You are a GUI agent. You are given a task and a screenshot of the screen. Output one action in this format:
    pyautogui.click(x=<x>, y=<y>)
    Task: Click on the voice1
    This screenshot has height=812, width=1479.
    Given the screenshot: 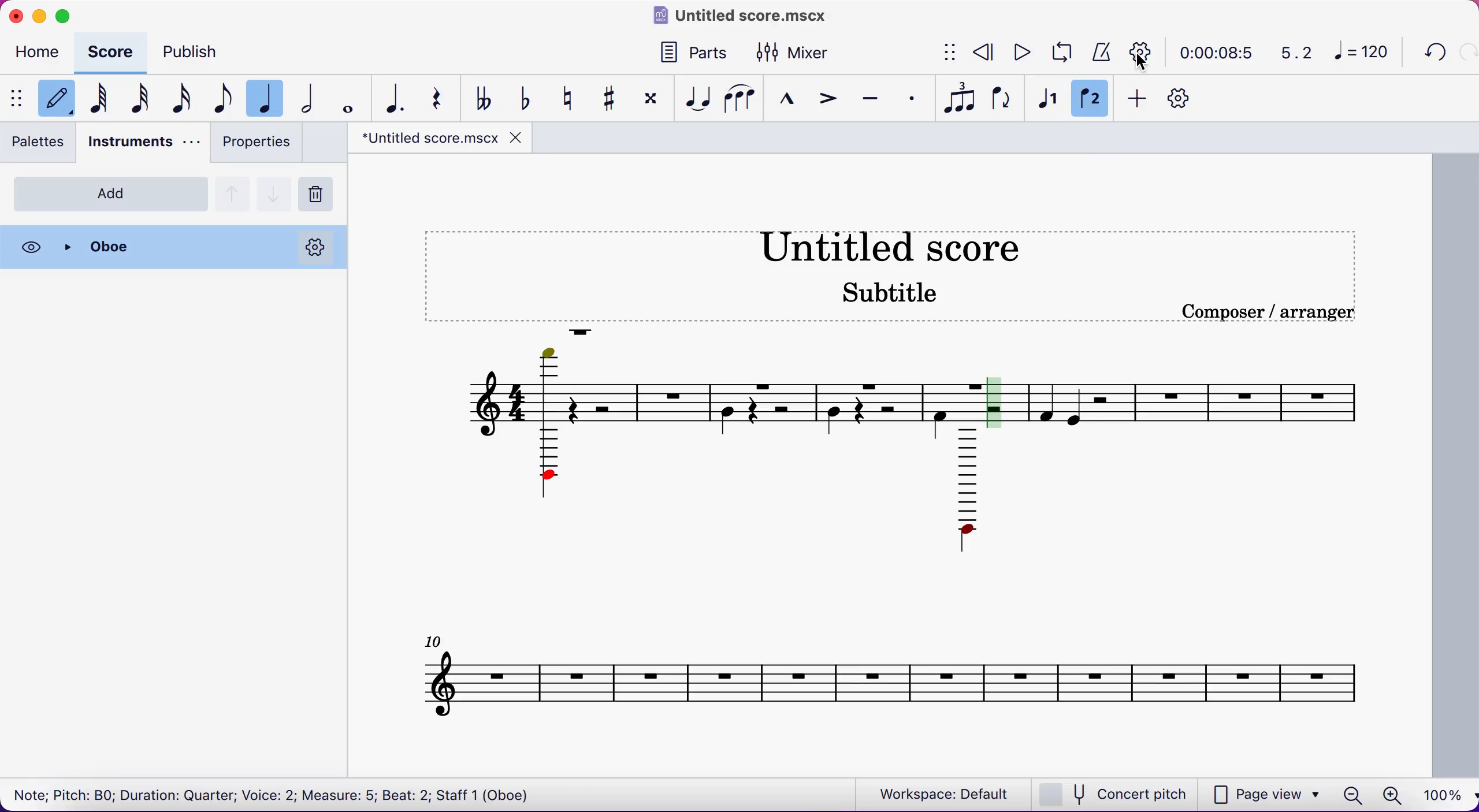 What is the action you would take?
    pyautogui.click(x=1046, y=100)
    